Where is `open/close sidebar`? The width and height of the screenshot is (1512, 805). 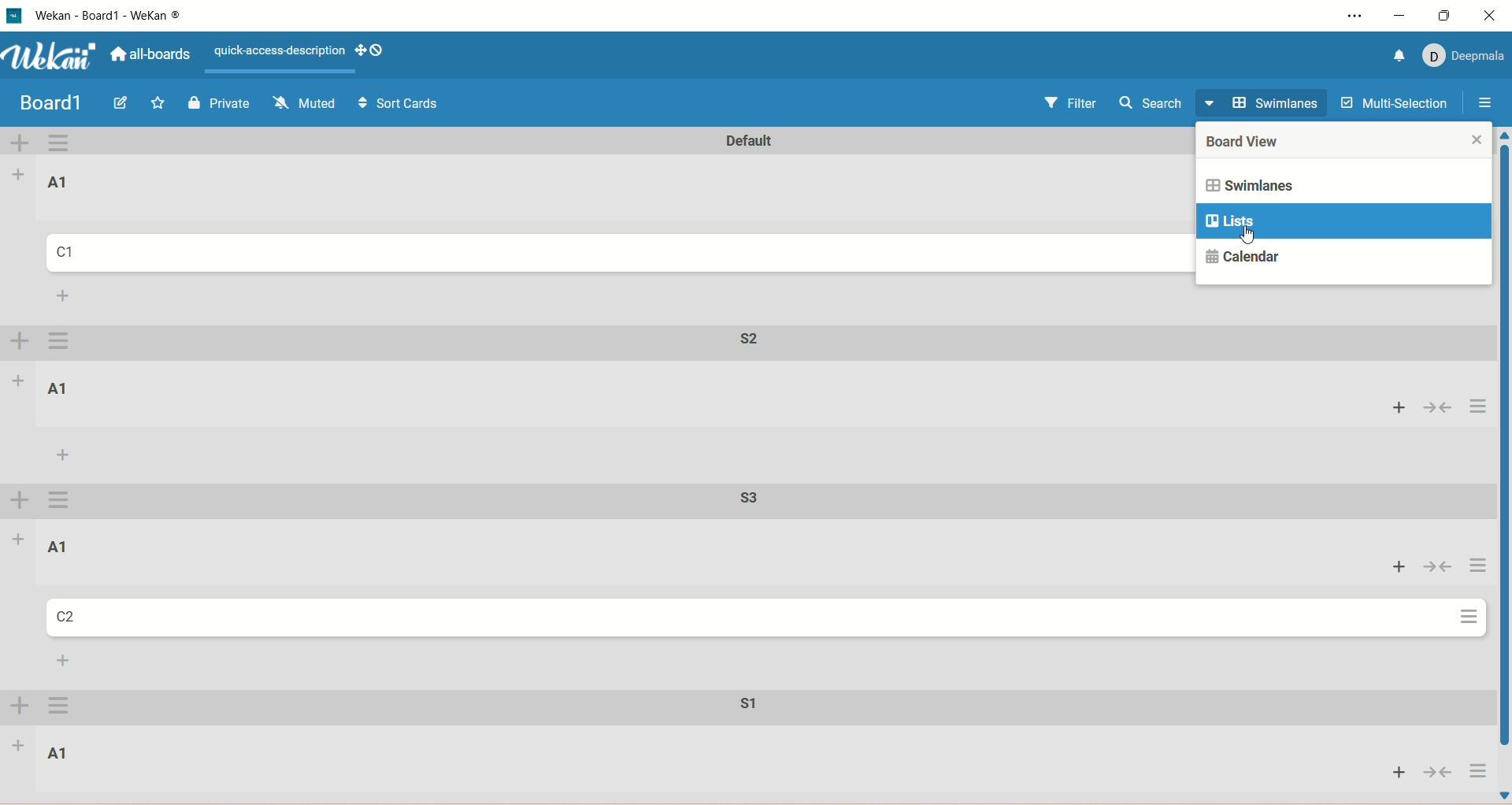
open/close sidebar is located at coordinates (1486, 106).